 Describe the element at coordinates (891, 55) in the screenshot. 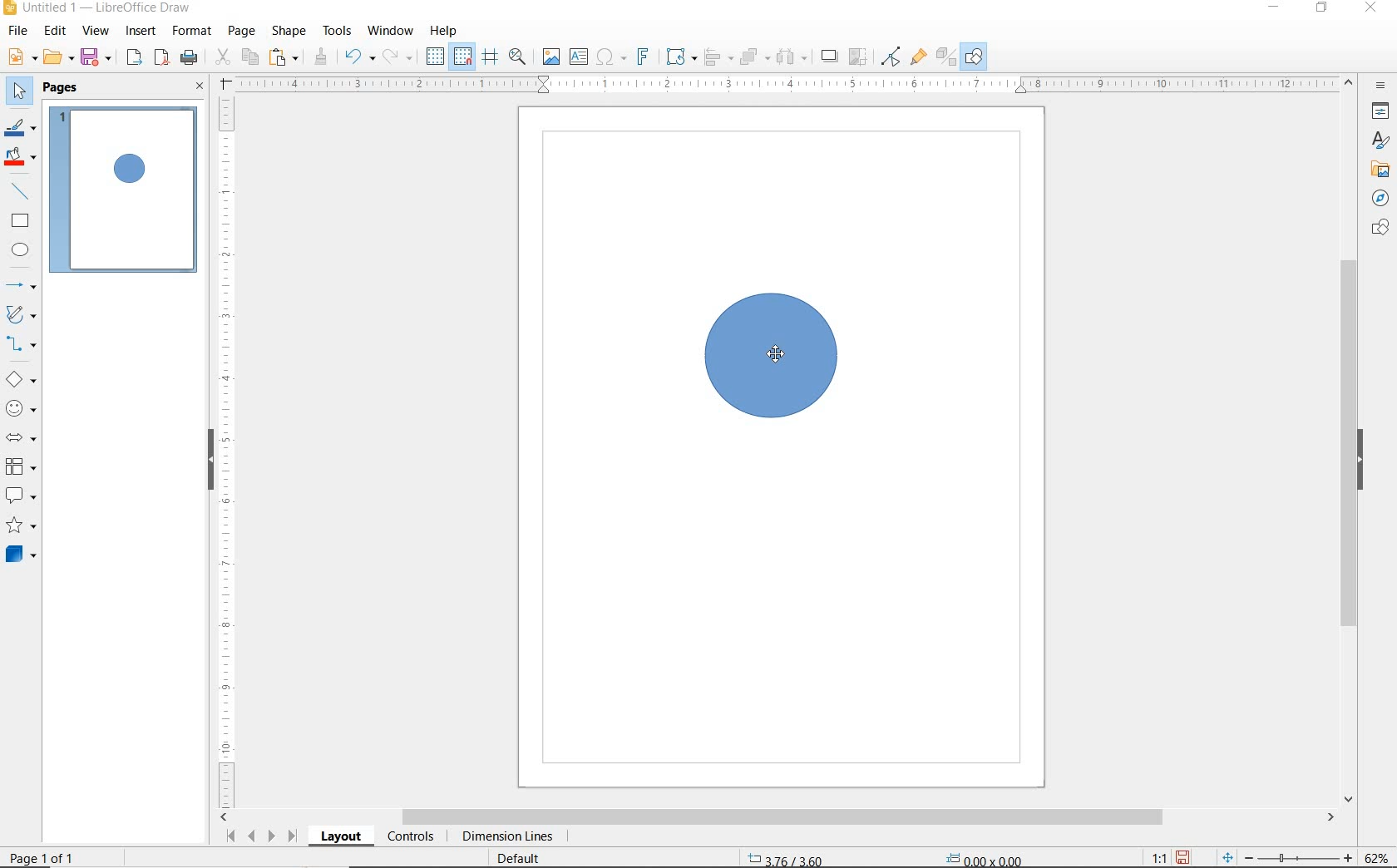

I see `TOGGLE POINT EDIT MODE` at that location.